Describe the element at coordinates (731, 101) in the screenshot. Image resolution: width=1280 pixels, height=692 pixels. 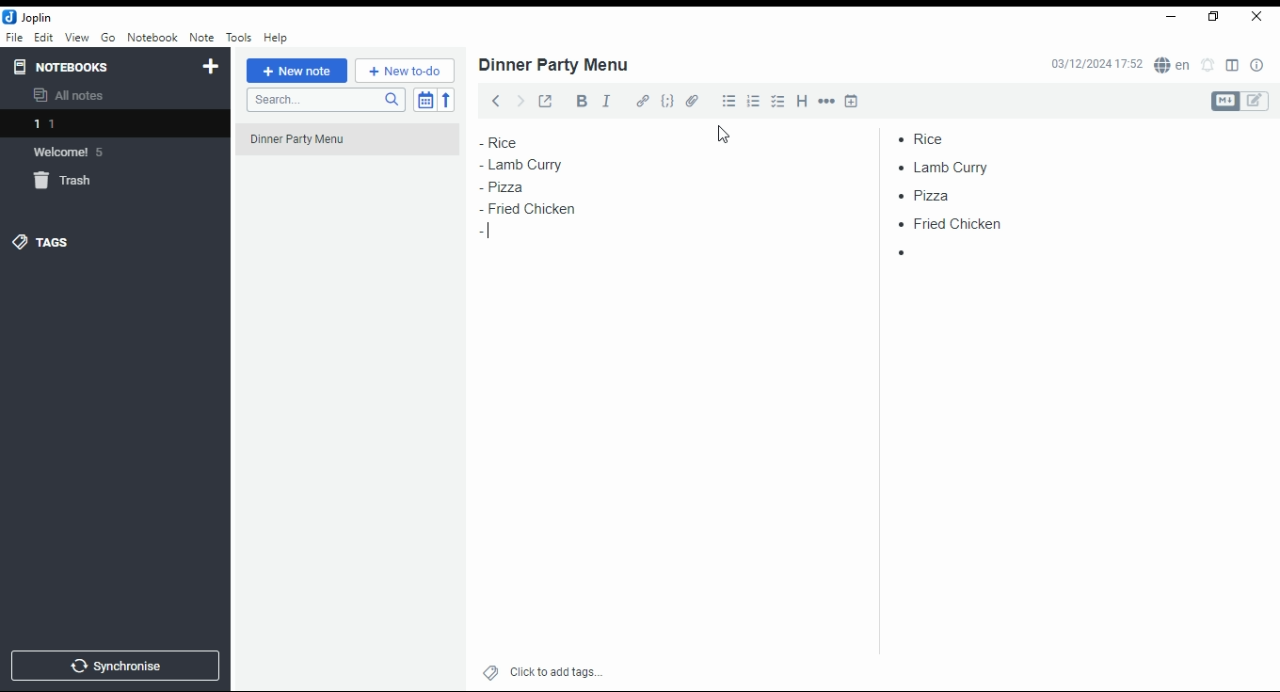
I see `bullet list` at that location.